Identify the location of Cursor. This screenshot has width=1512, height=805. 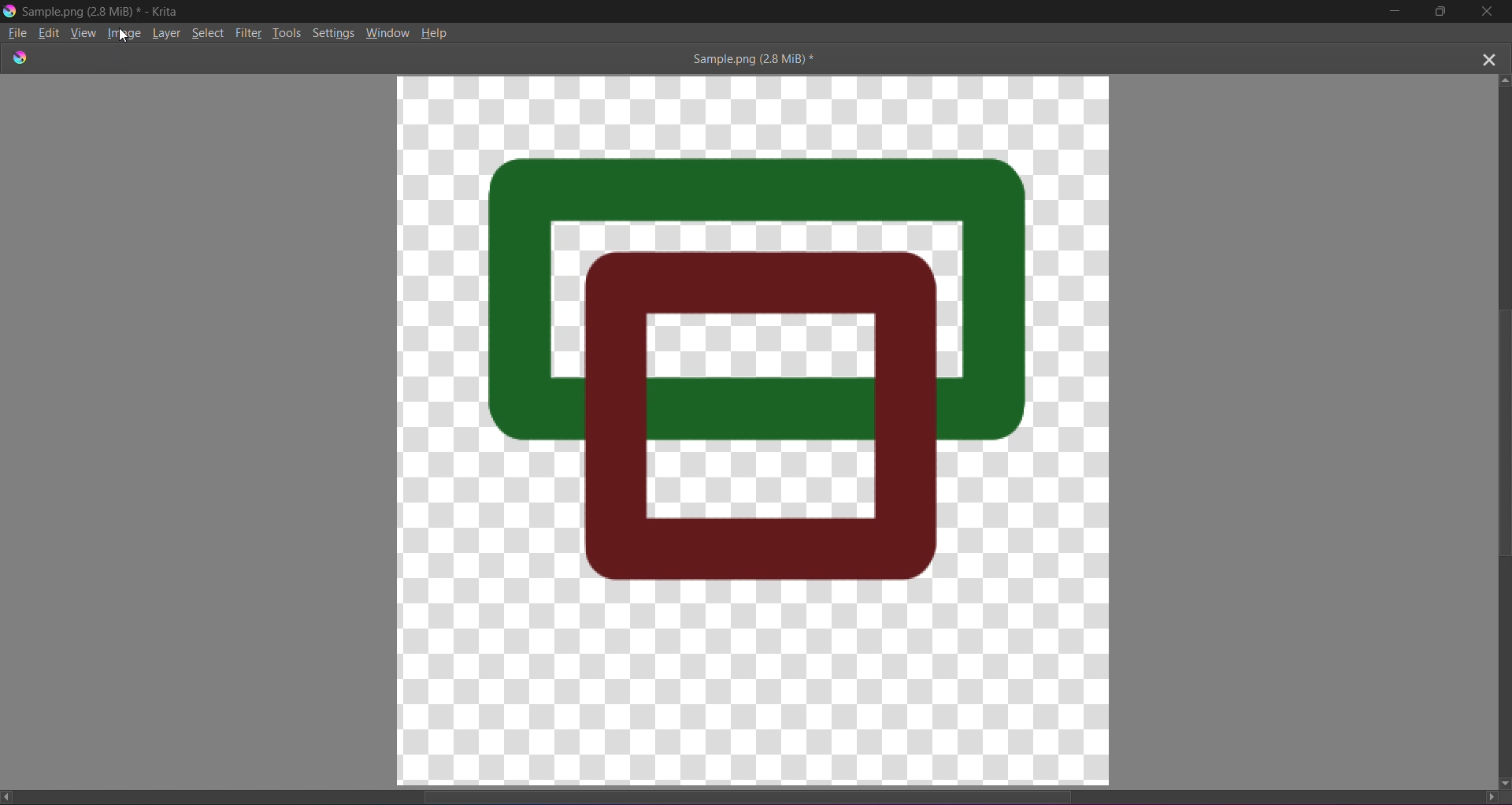
(126, 35).